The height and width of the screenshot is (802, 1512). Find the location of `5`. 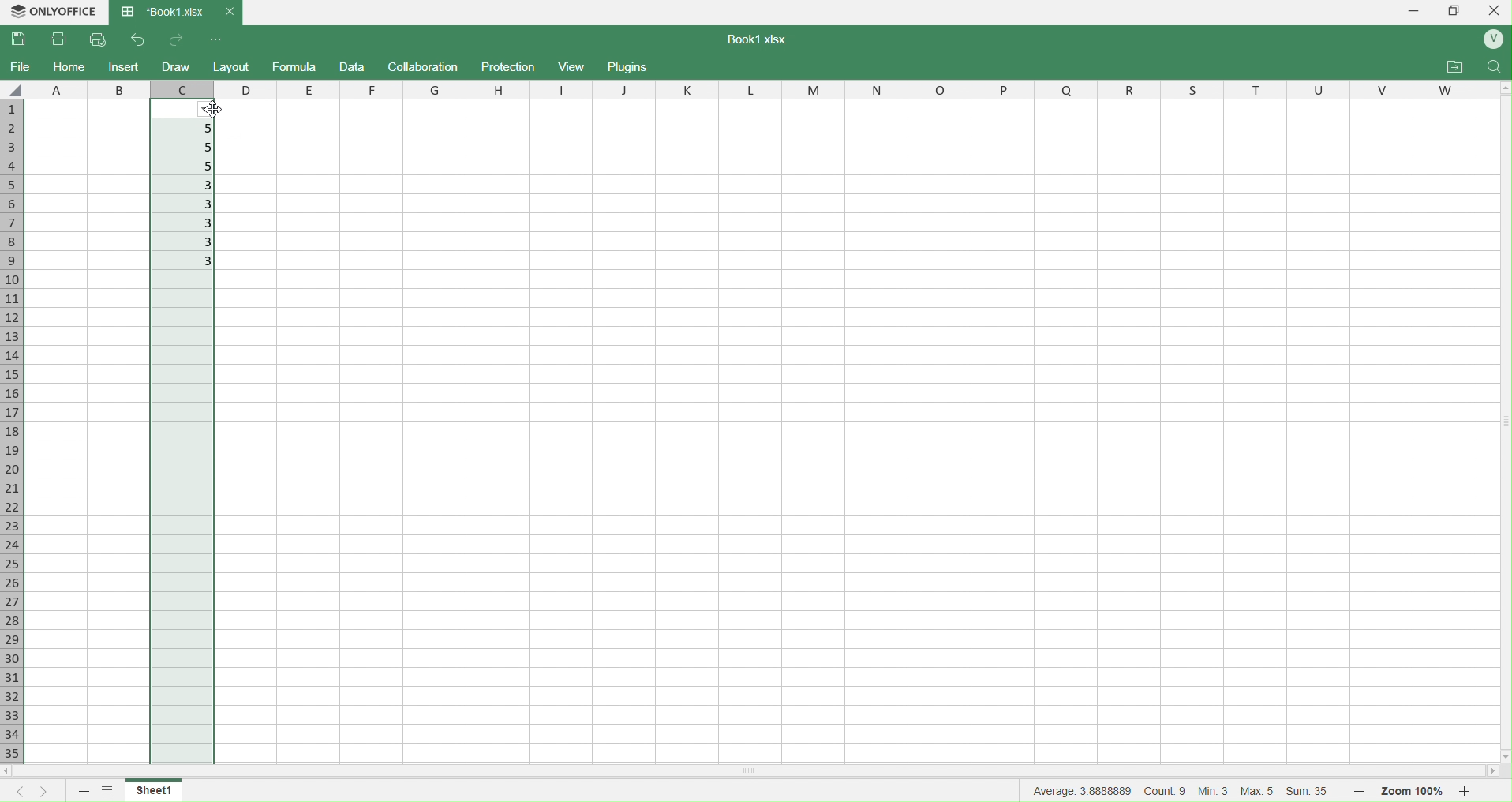

5 is located at coordinates (190, 147).